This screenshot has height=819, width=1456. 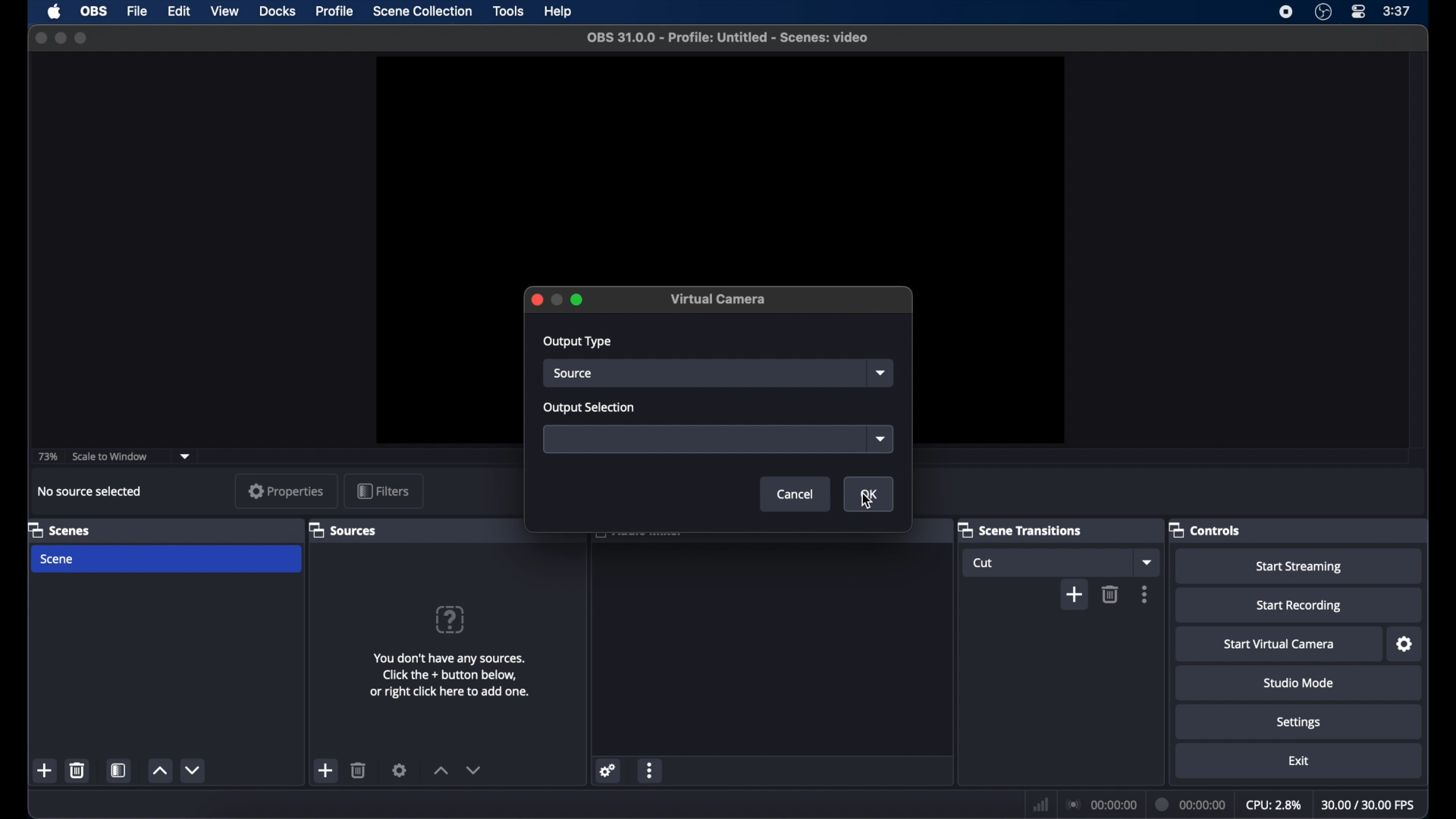 I want to click on properties, so click(x=287, y=491).